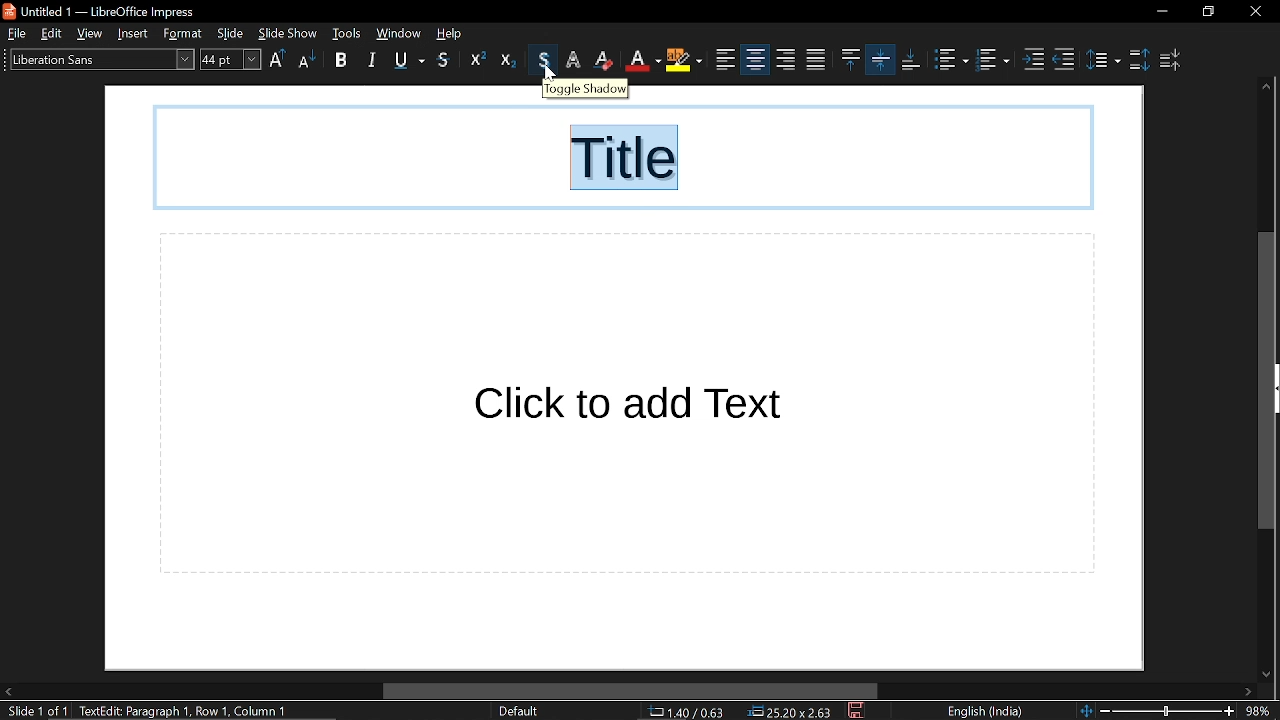  Describe the element at coordinates (1036, 60) in the screenshot. I see `increase indent` at that location.